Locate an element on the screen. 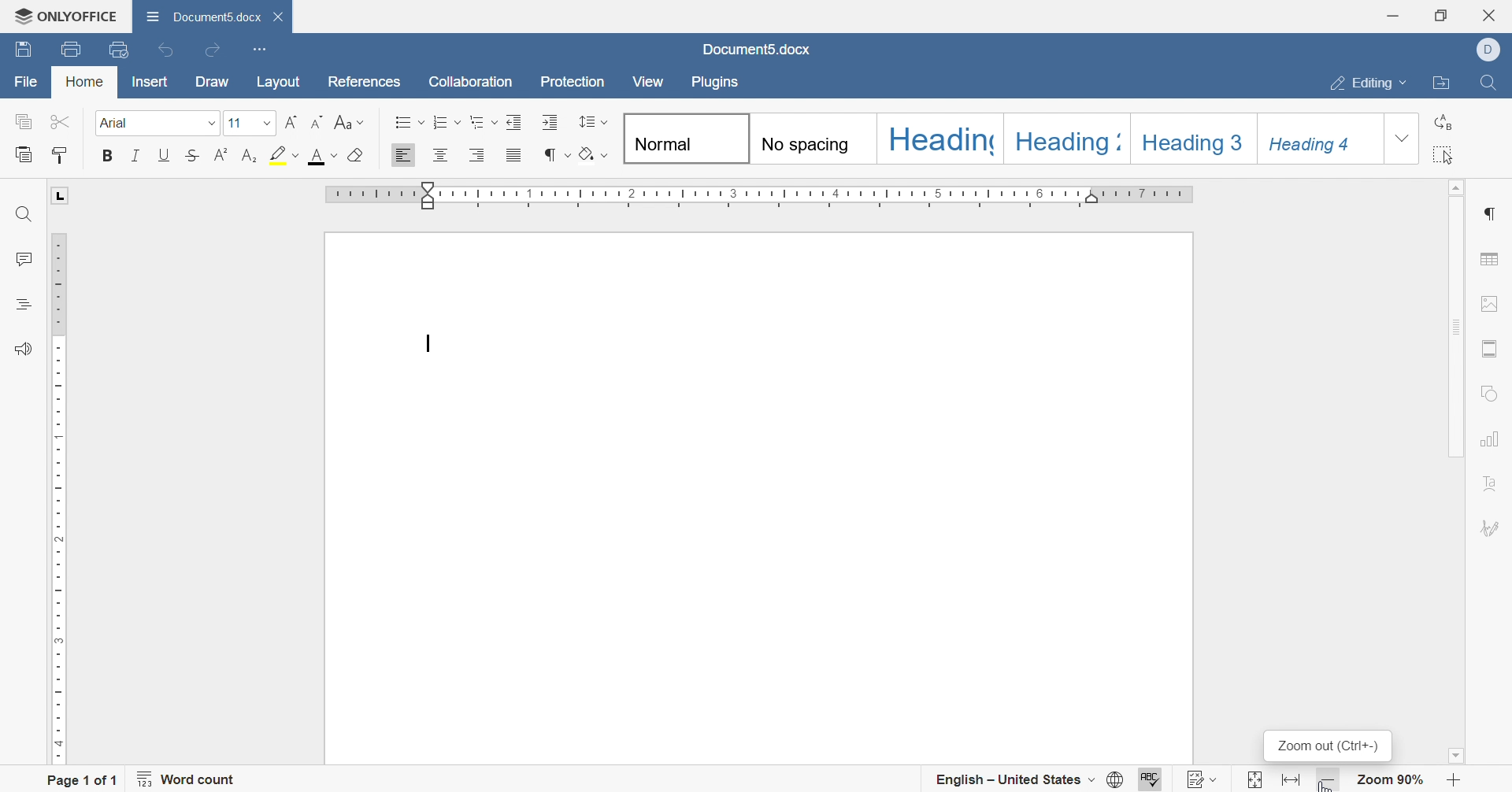 This screenshot has width=1512, height=792. italic is located at coordinates (138, 155).